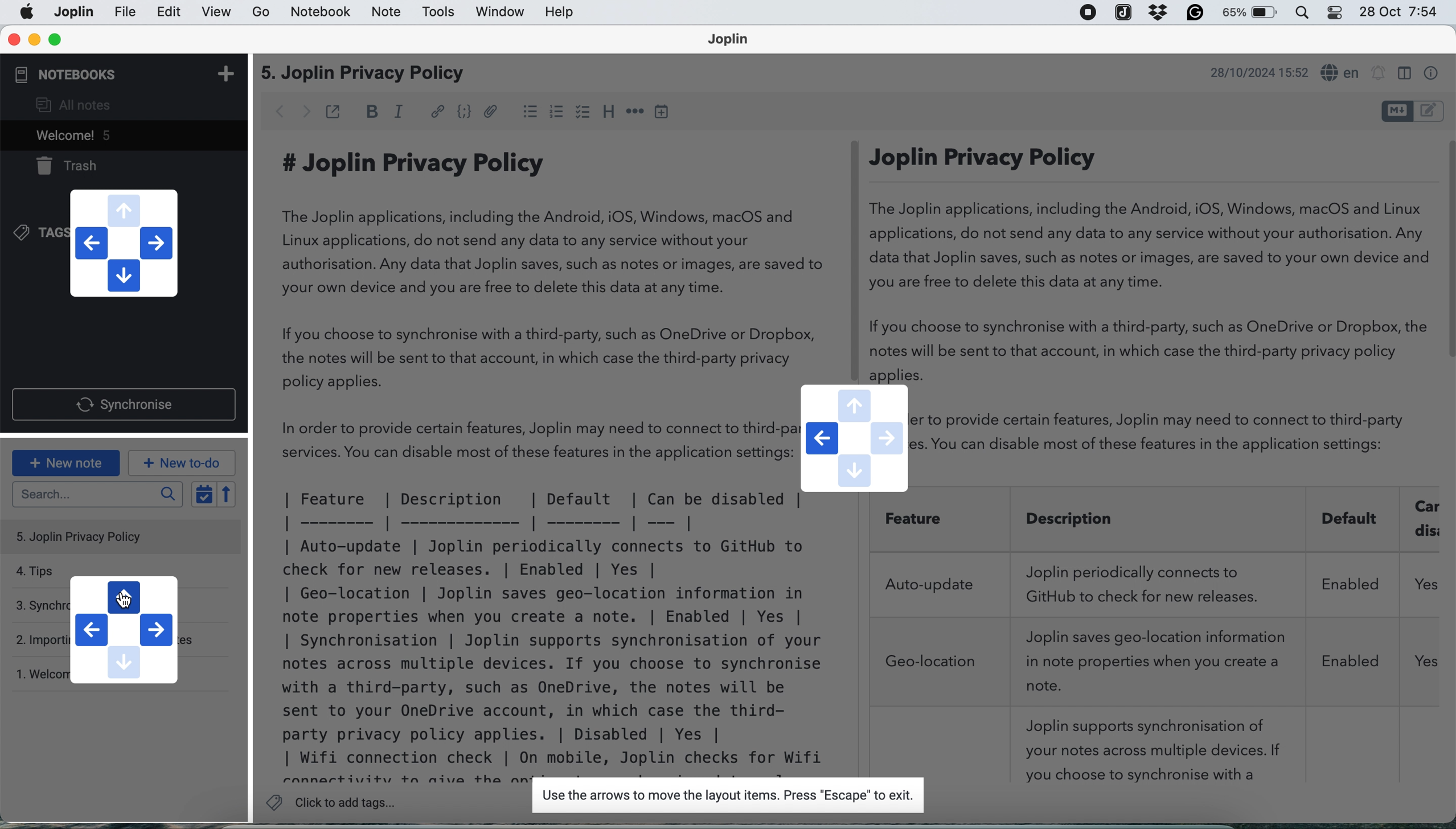  I want to click on grammarly, so click(1195, 14).